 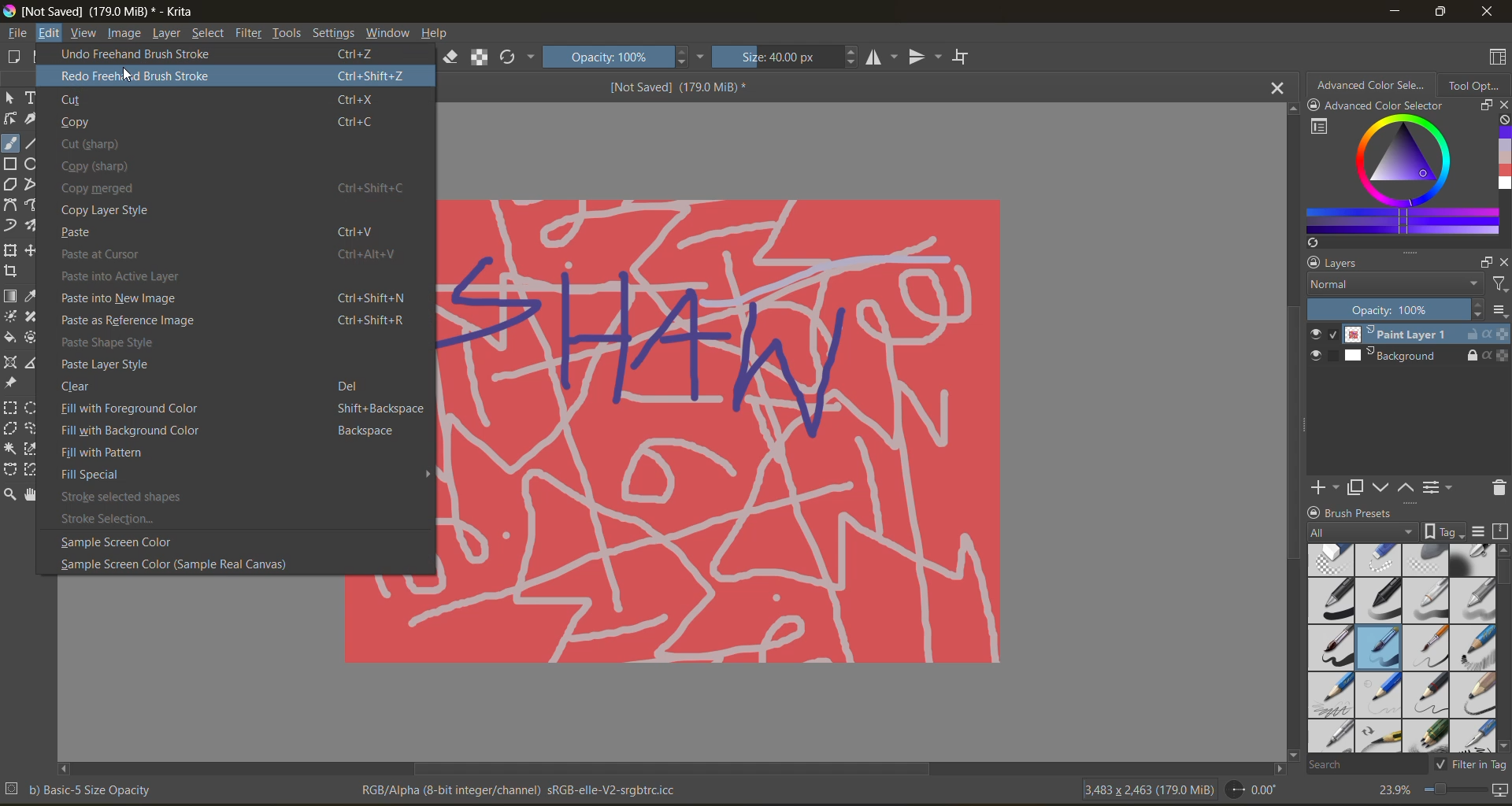 What do you see at coordinates (1393, 790) in the screenshot?
I see `23.9%` at bounding box center [1393, 790].